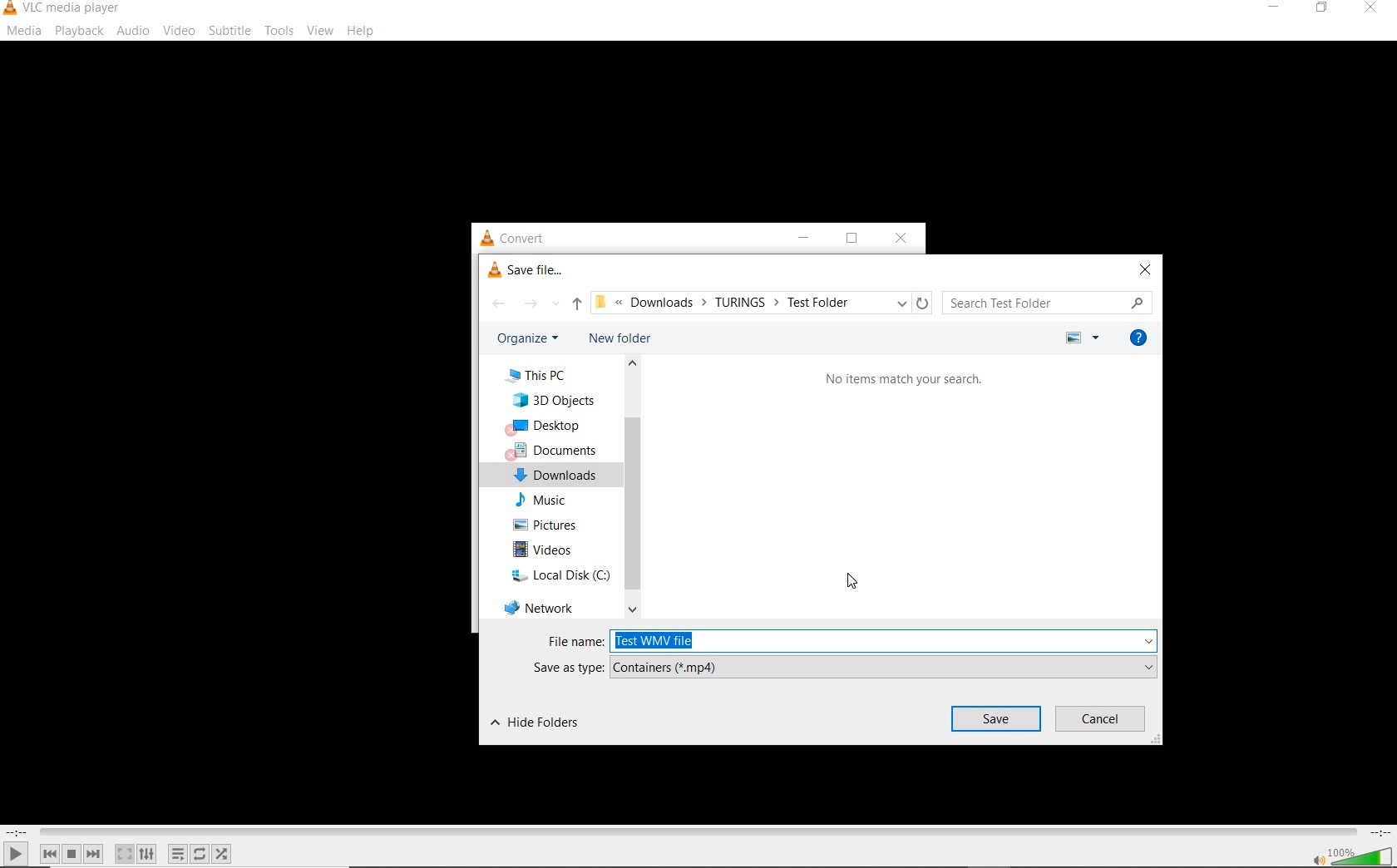 This screenshot has width=1397, height=868. Describe the element at coordinates (555, 302) in the screenshot. I see `recent locations` at that location.